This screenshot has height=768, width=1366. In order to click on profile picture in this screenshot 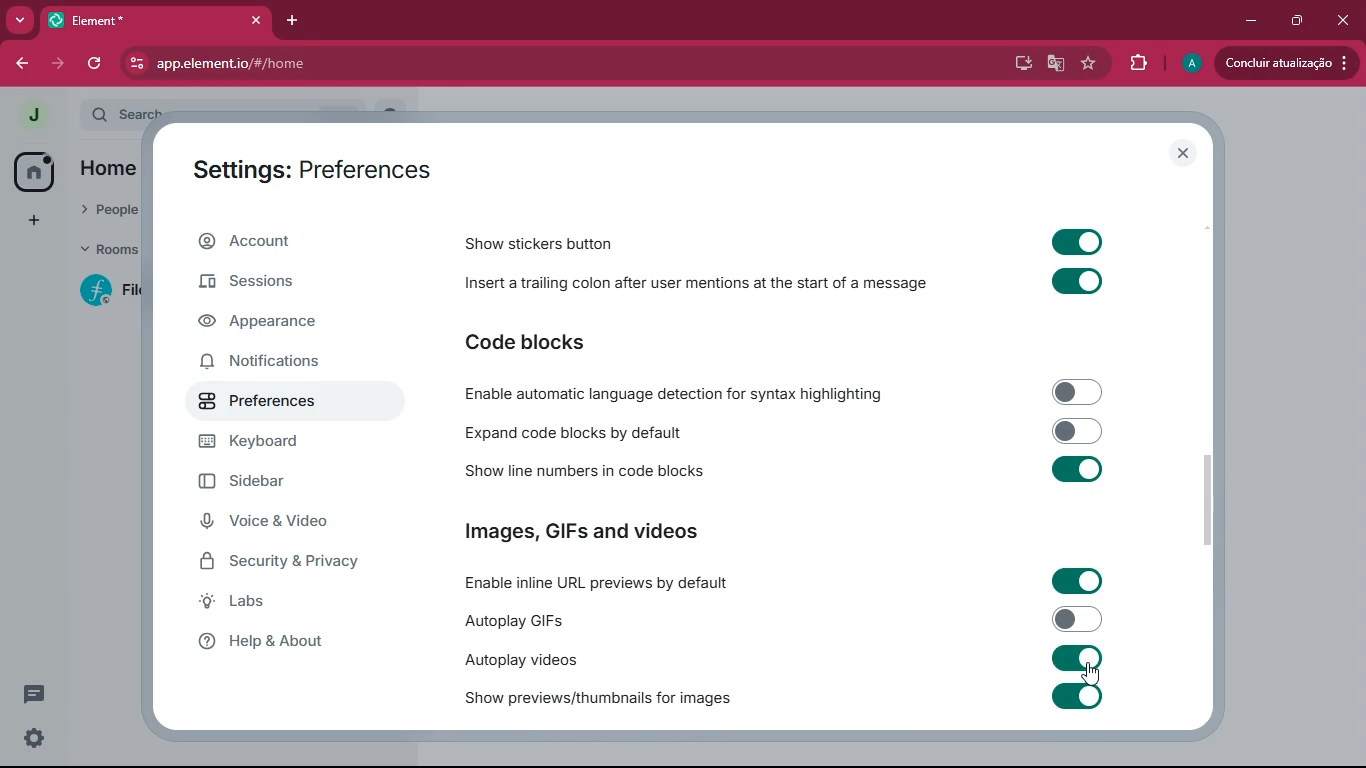, I will do `click(34, 114)`.